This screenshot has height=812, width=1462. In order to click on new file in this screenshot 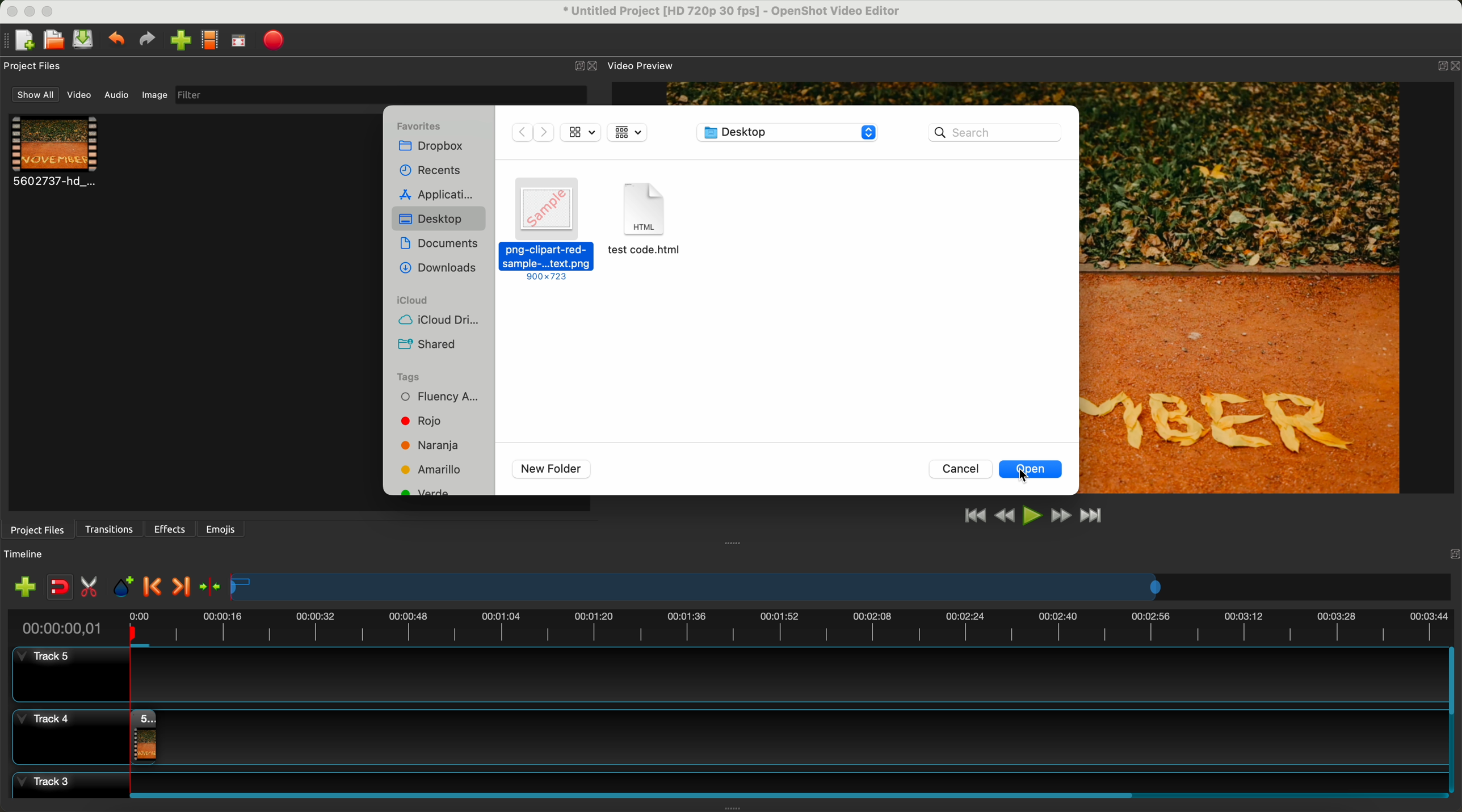, I will do `click(21, 40)`.